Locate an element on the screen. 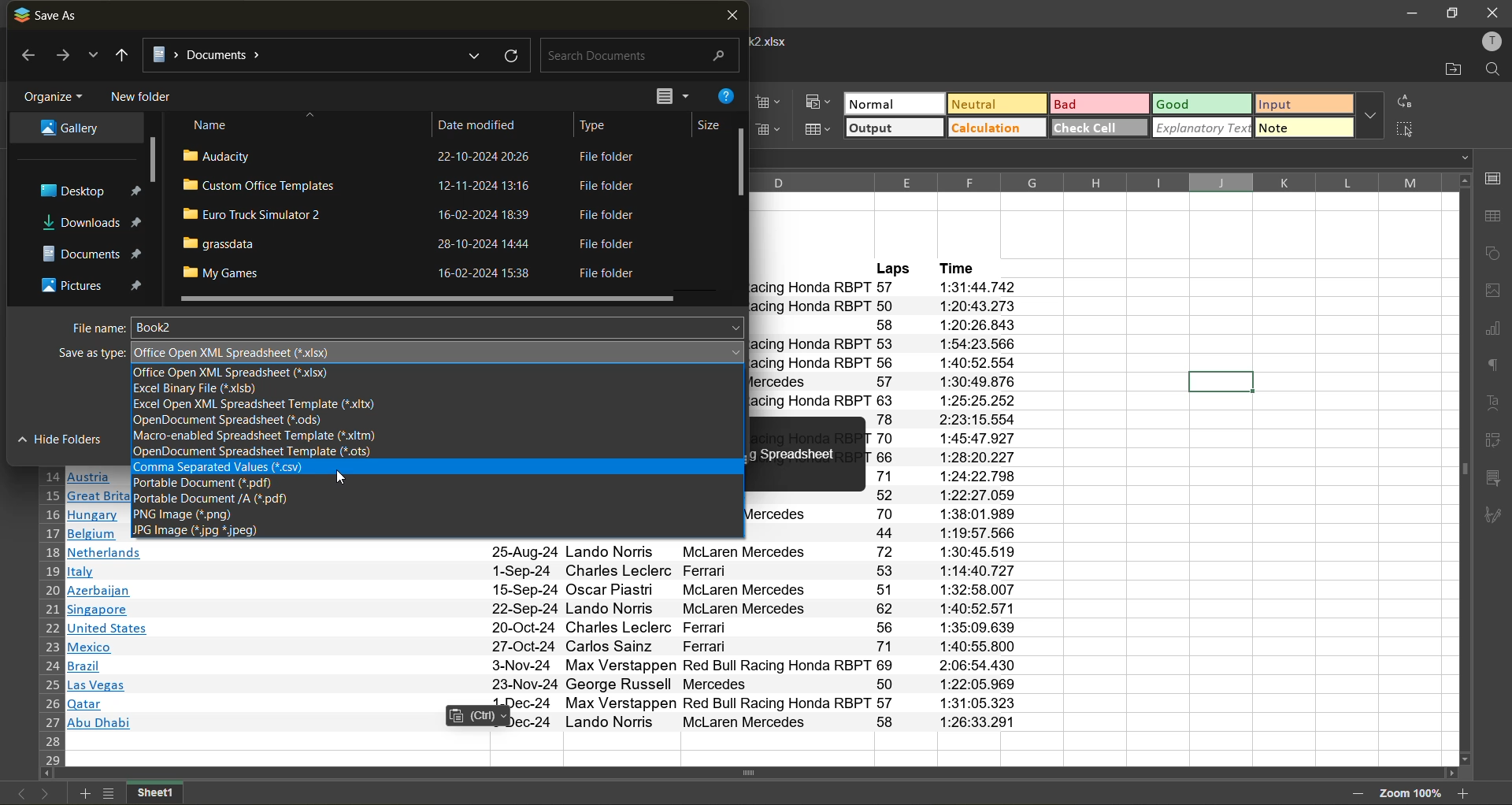  pdf is located at coordinates (217, 499).